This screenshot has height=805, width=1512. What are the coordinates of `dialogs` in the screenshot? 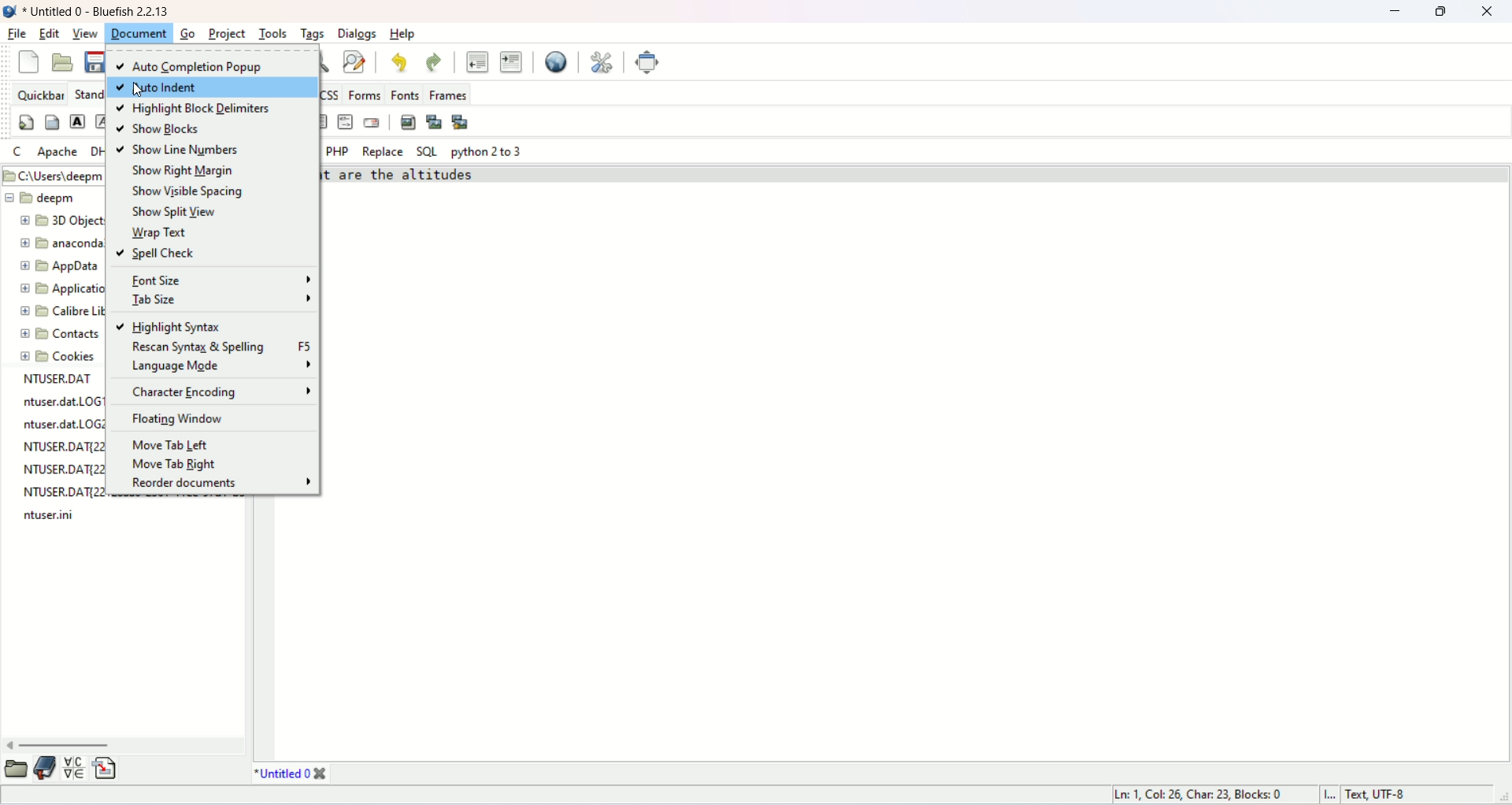 It's located at (360, 35).